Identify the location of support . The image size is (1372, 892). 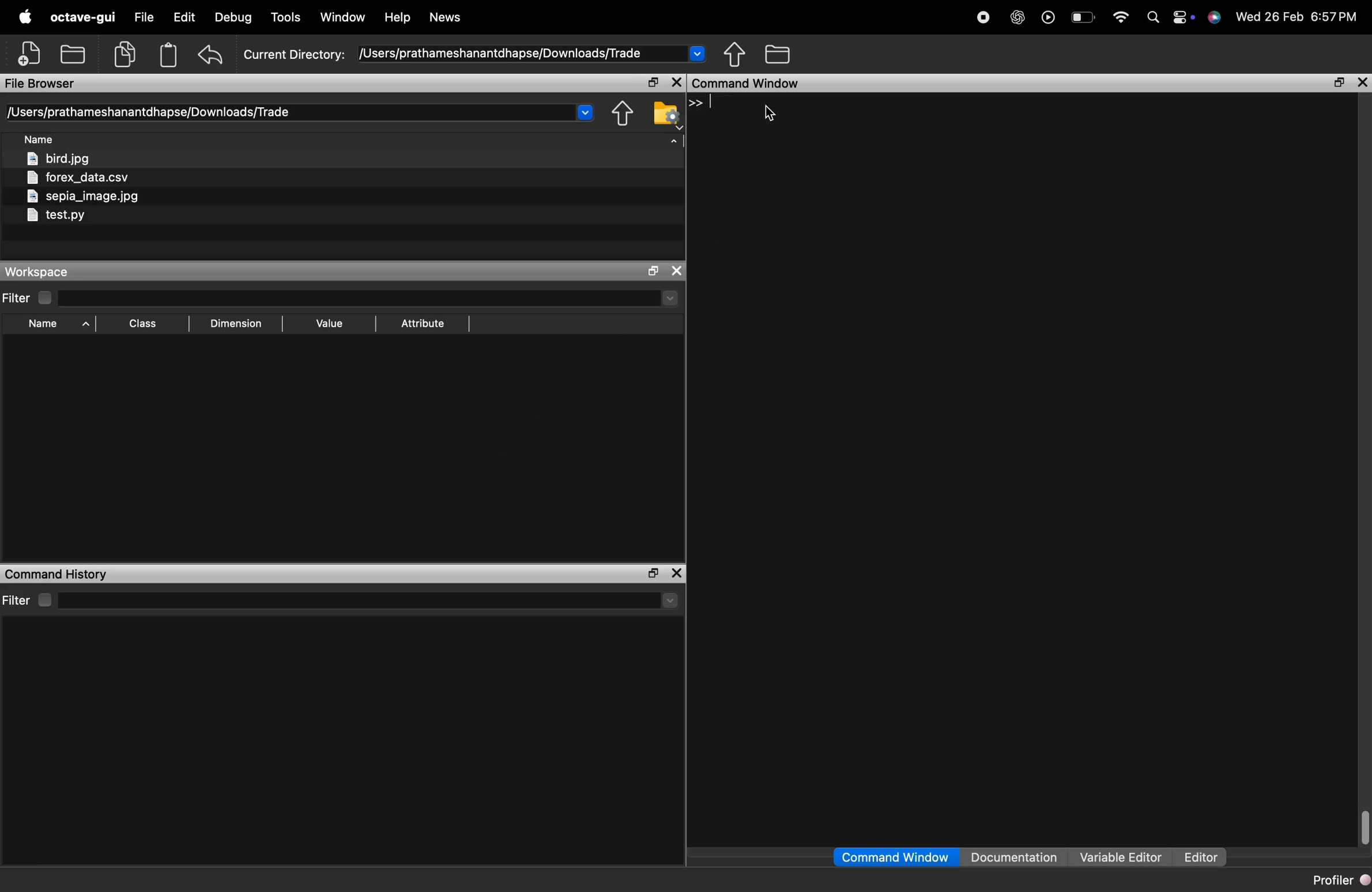
(1216, 18).